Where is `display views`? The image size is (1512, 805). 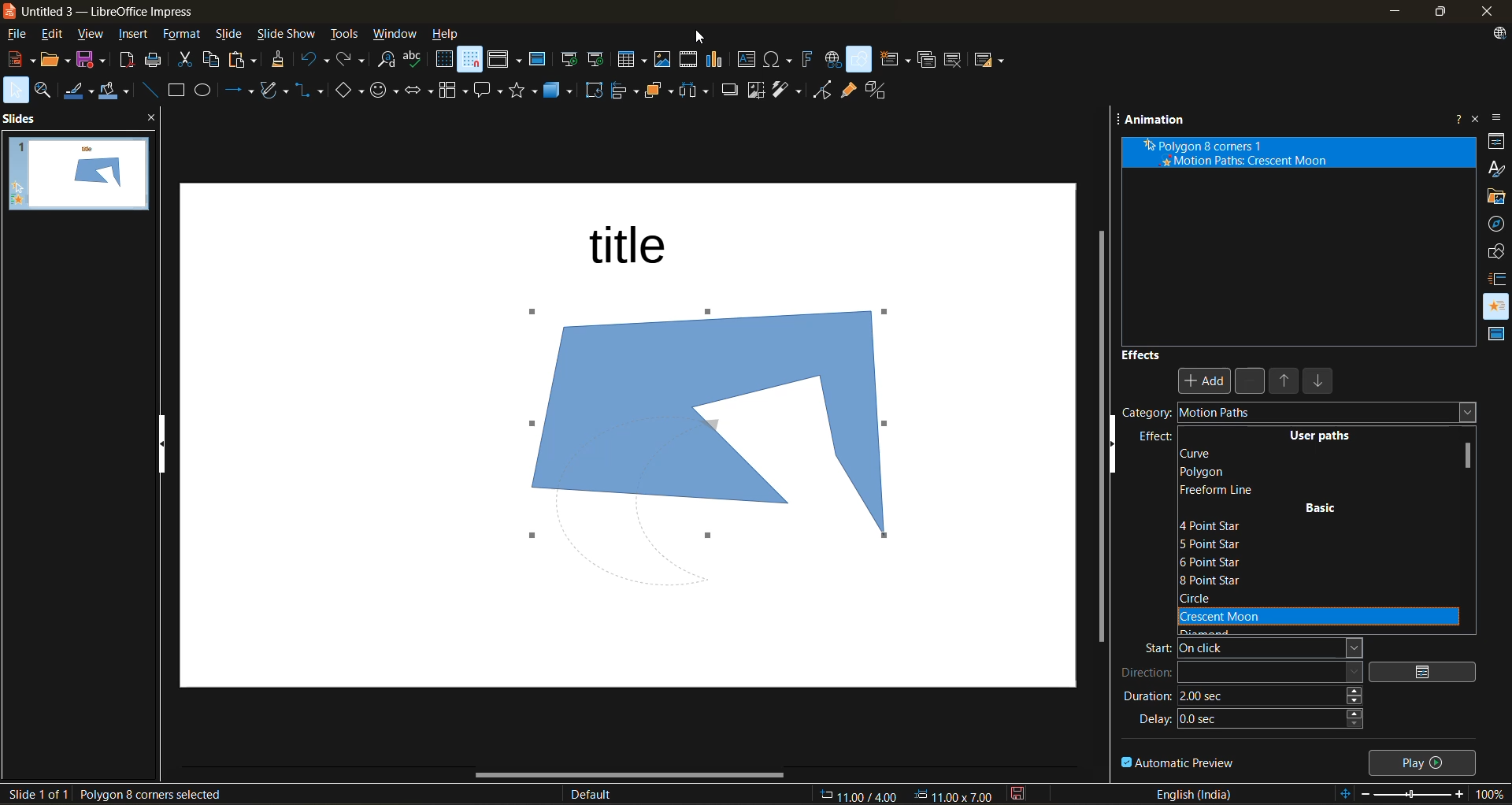 display views is located at coordinates (503, 61).